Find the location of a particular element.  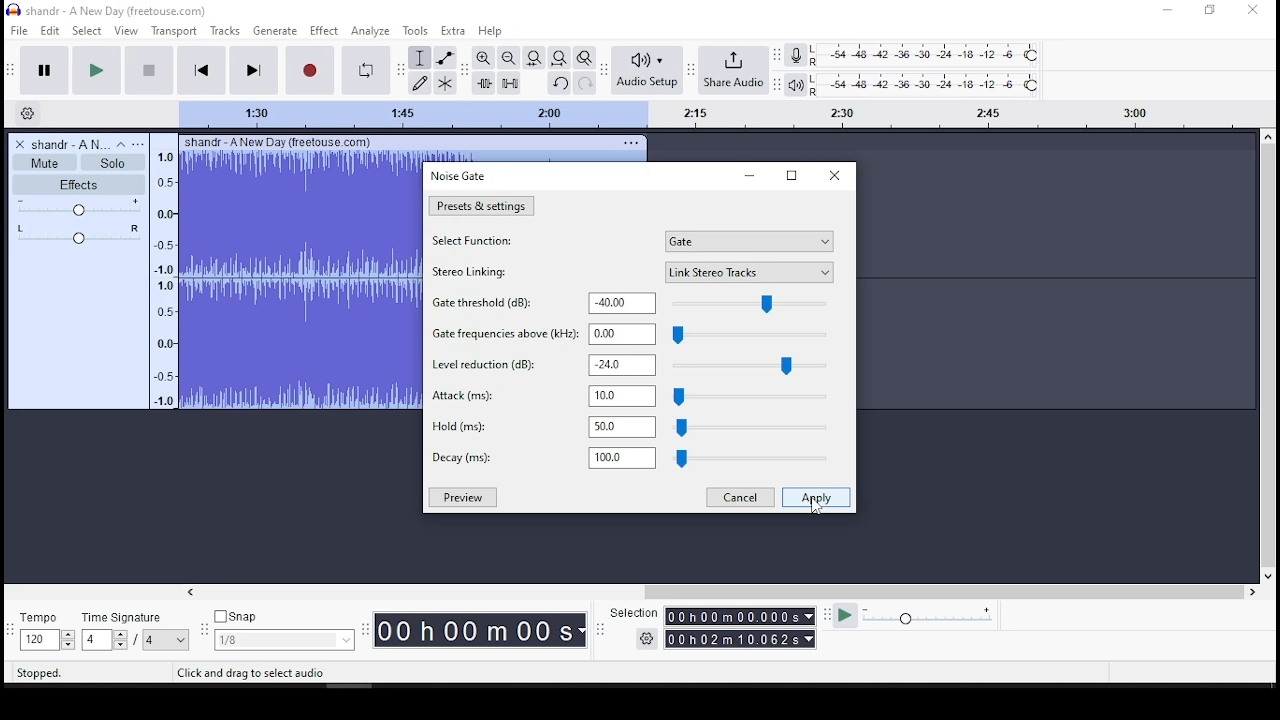

select function is located at coordinates (631, 242).